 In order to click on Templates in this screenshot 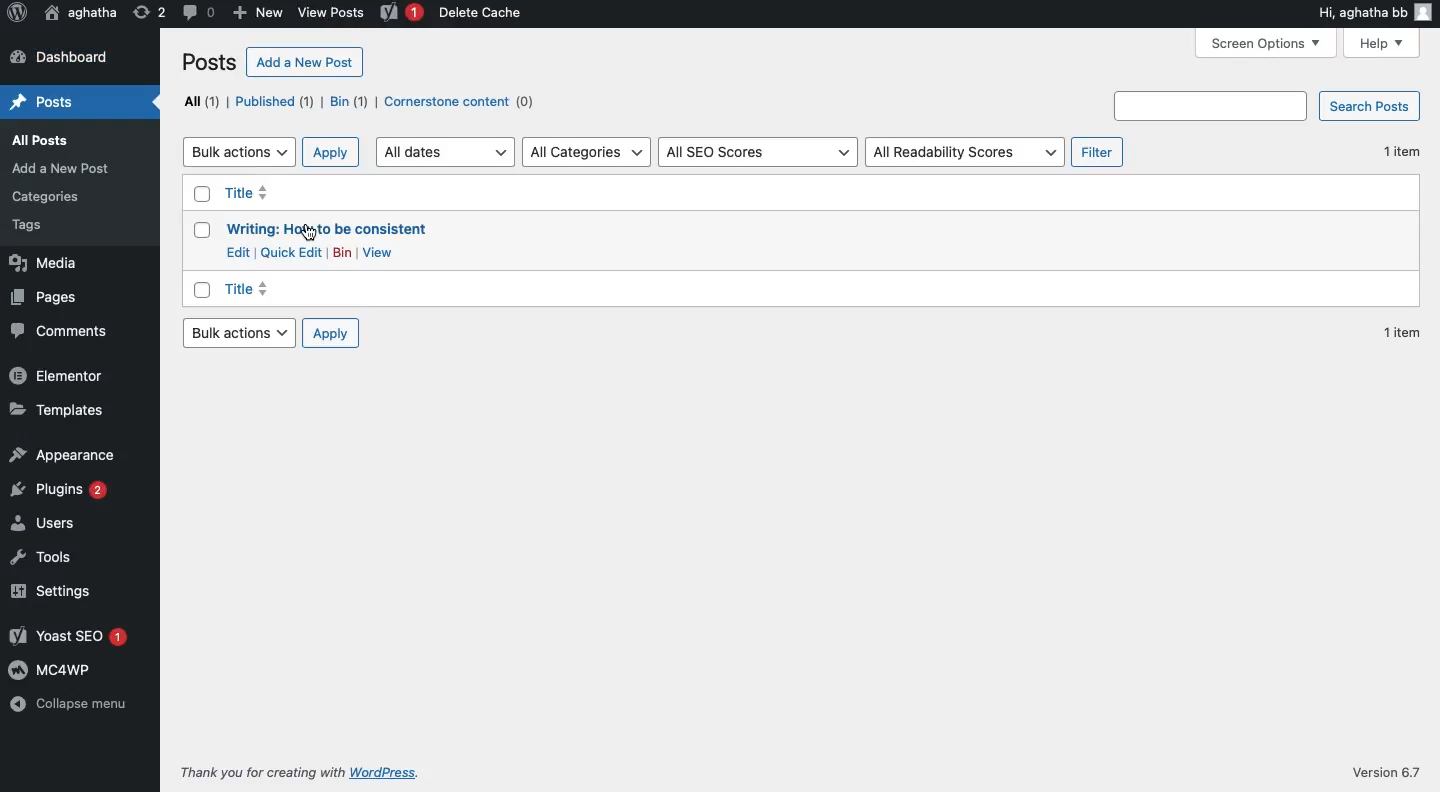, I will do `click(55, 409)`.